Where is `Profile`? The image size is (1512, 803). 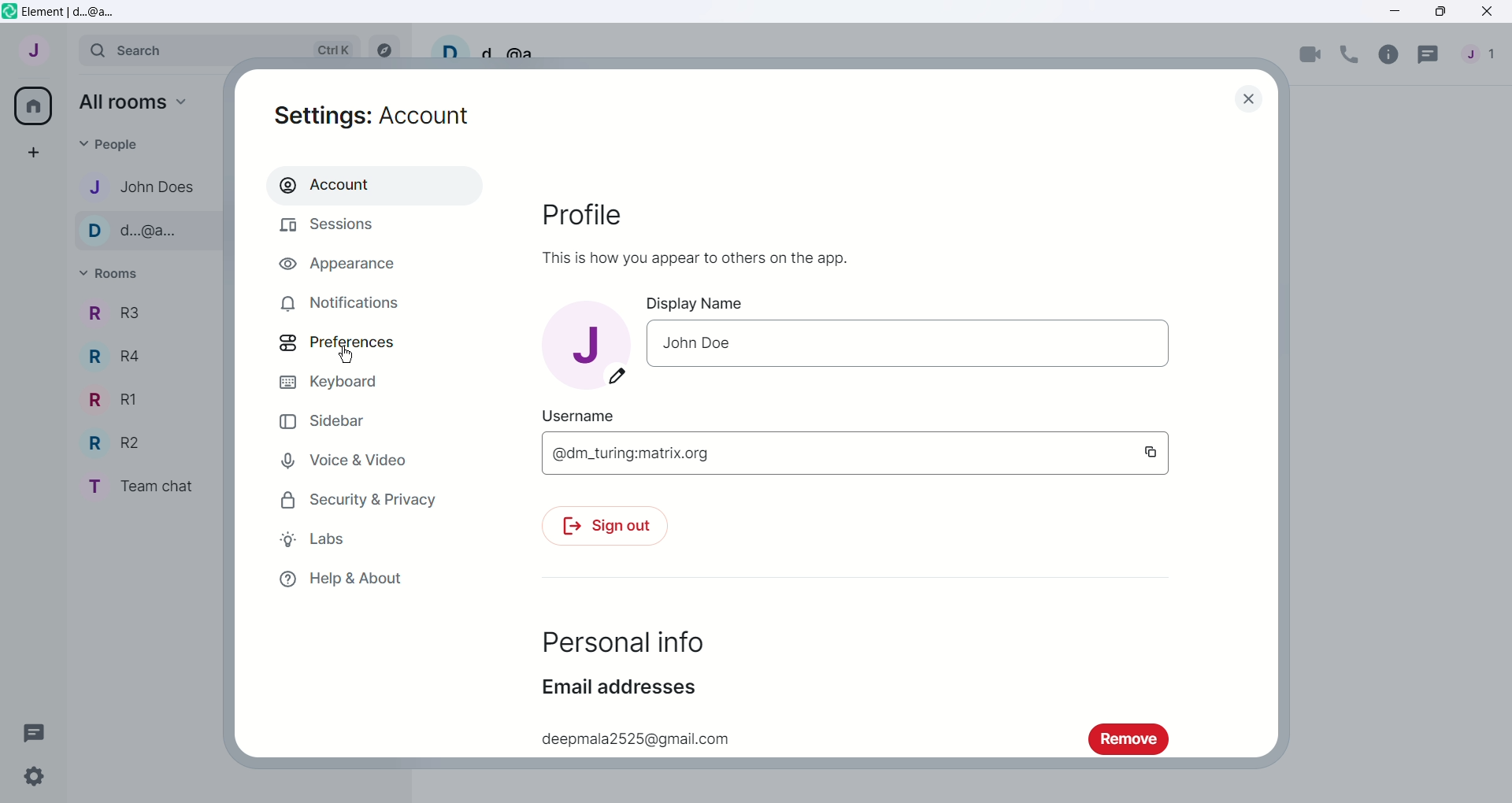 Profile is located at coordinates (582, 213).